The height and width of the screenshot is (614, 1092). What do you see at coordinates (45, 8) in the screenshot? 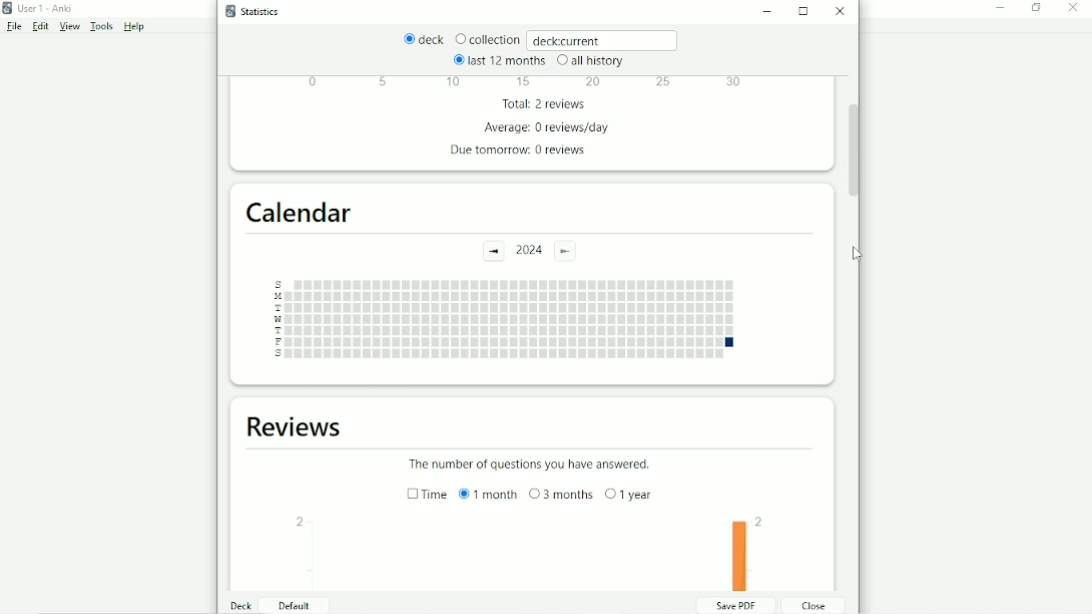
I see `User 1 - Anki` at bounding box center [45, 8].